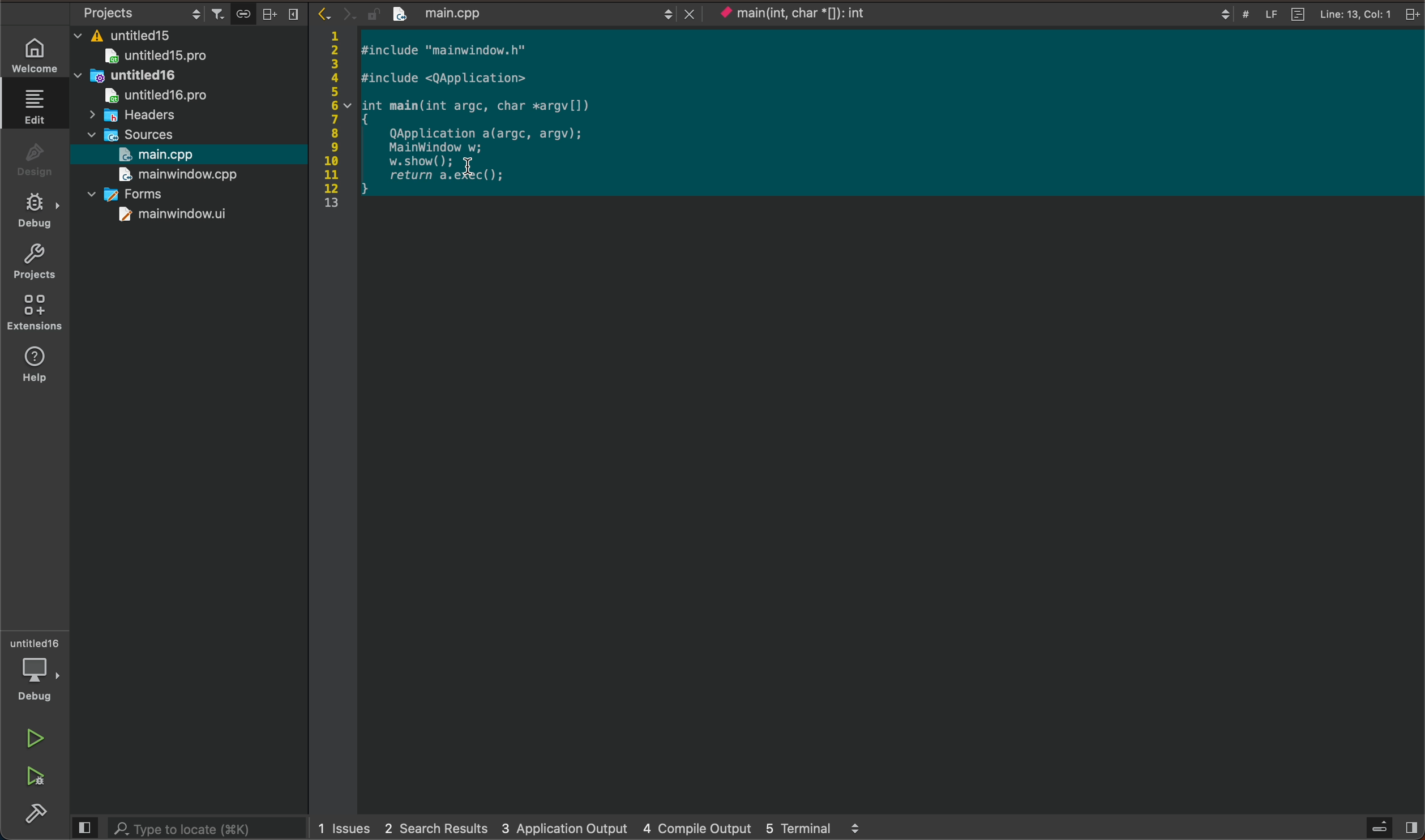 The image size is (1425, 840). What do you see at coordinates (472, 166) in the screenshot?
I see `cursor` at bounding box center [472, 166].